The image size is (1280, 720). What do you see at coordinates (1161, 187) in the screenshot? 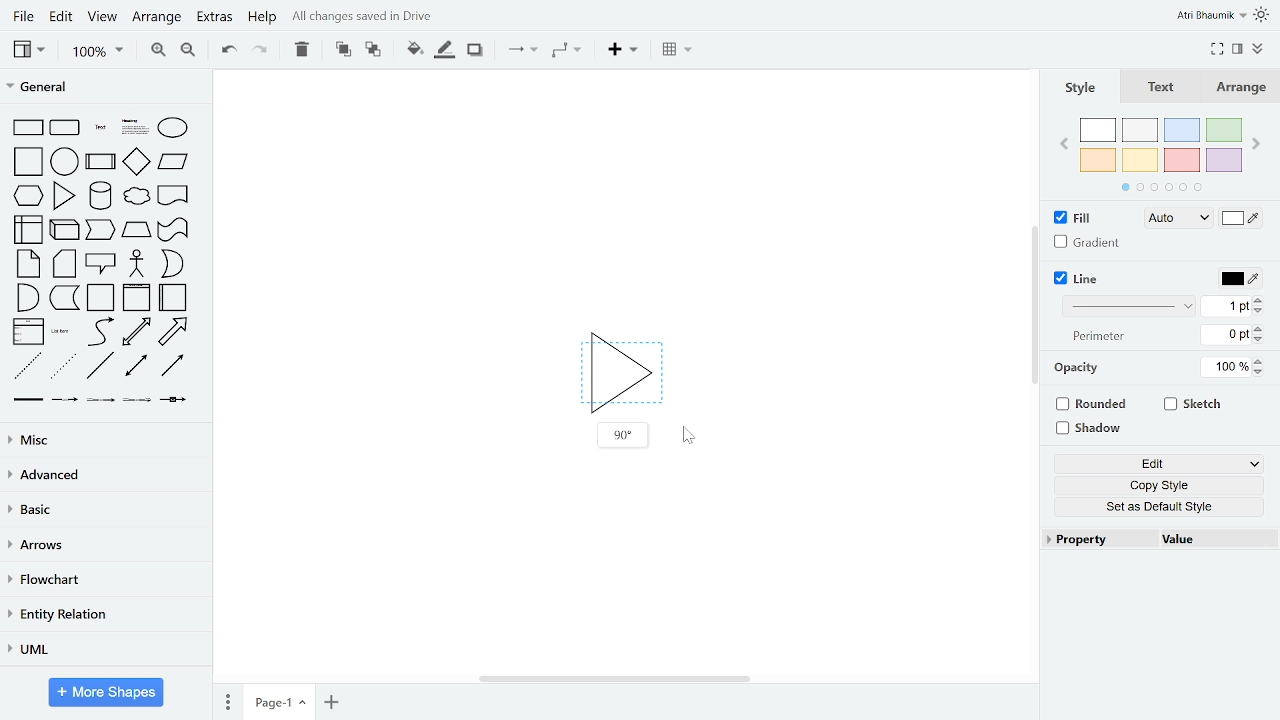
I see `pages in color` at bounding box center [1161, 187].